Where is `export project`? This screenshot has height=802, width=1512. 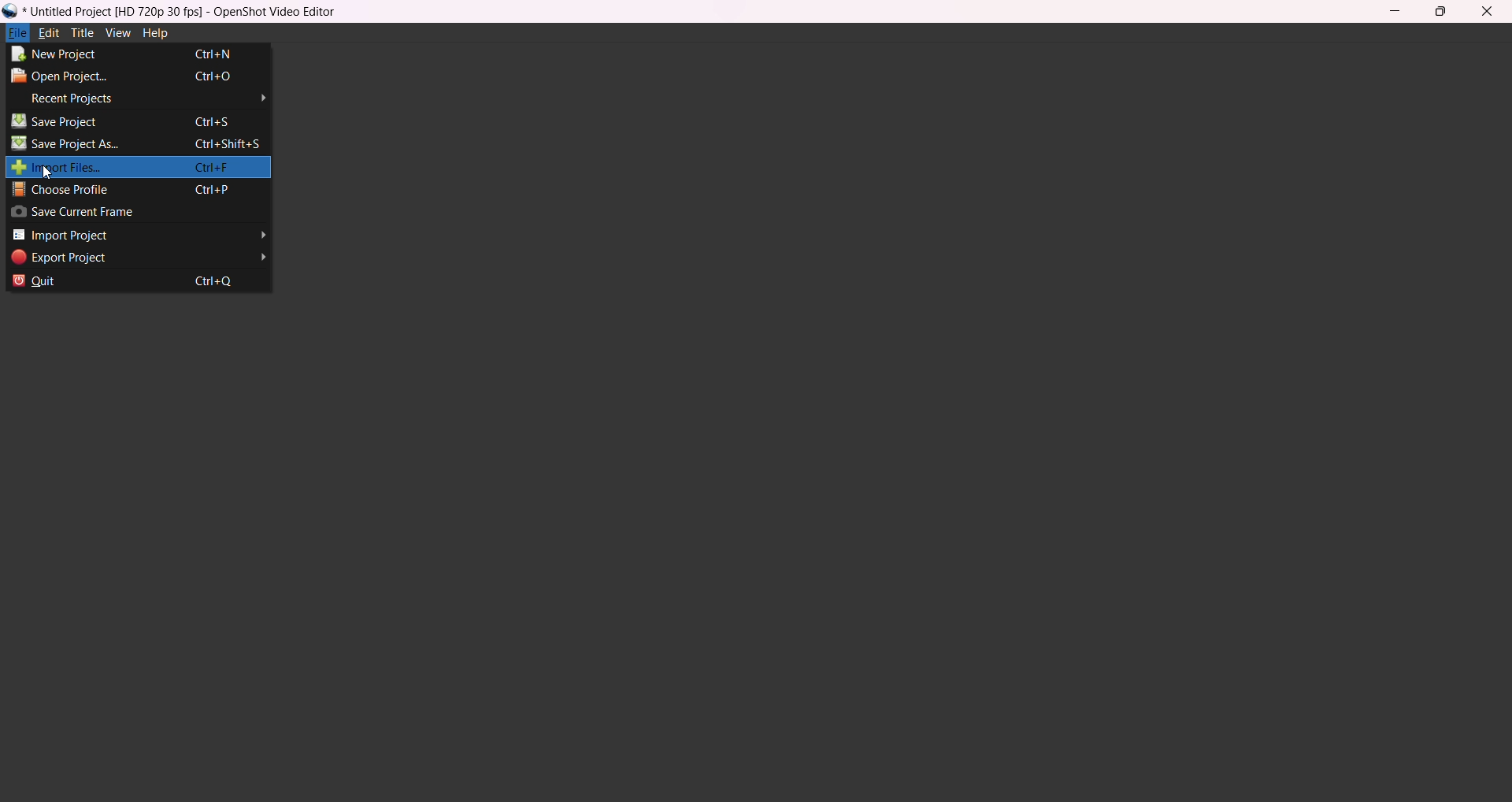 export project is located at coordinates (138, 259).